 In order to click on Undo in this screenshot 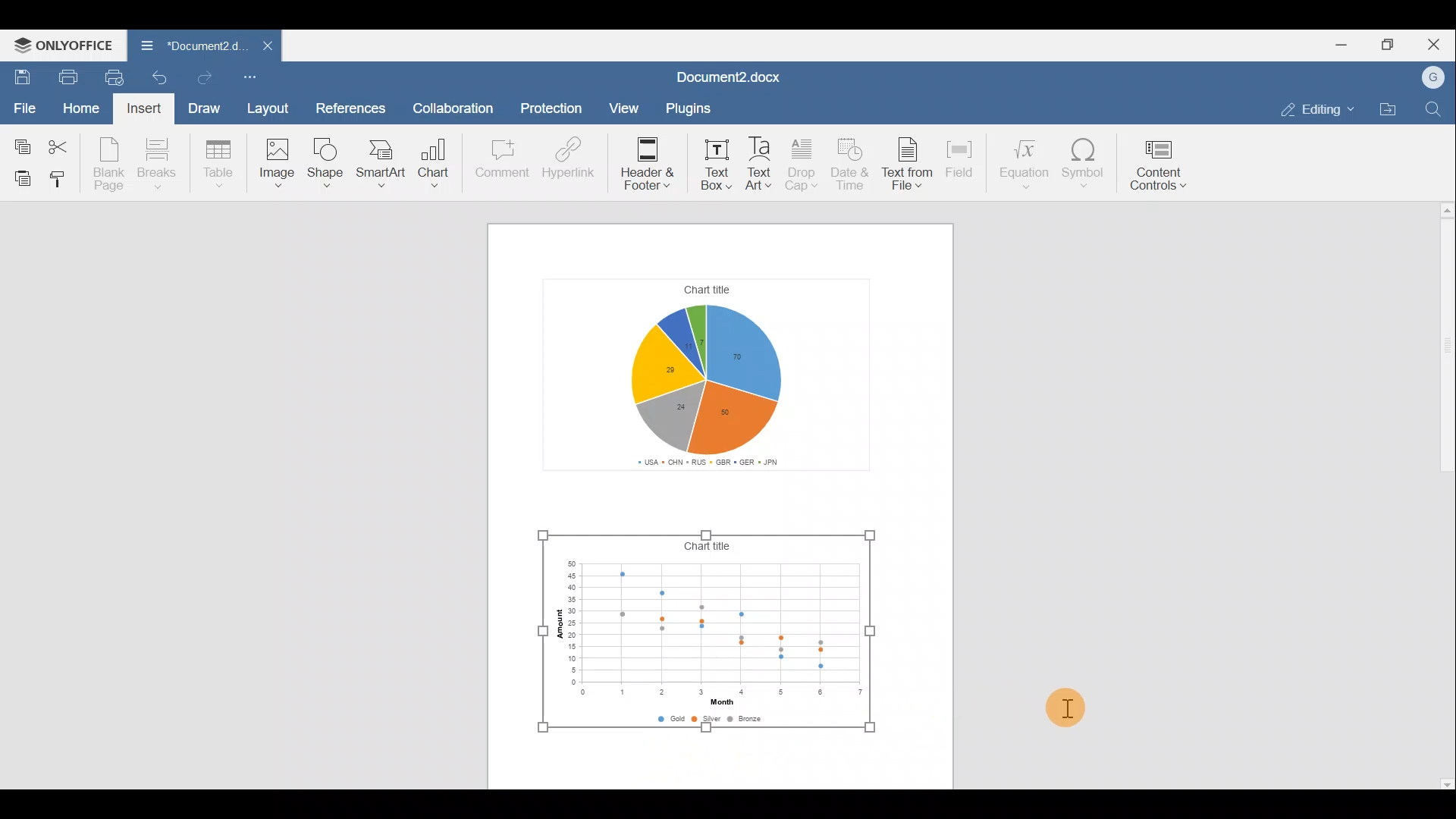, I will do `click(162, 76)`.